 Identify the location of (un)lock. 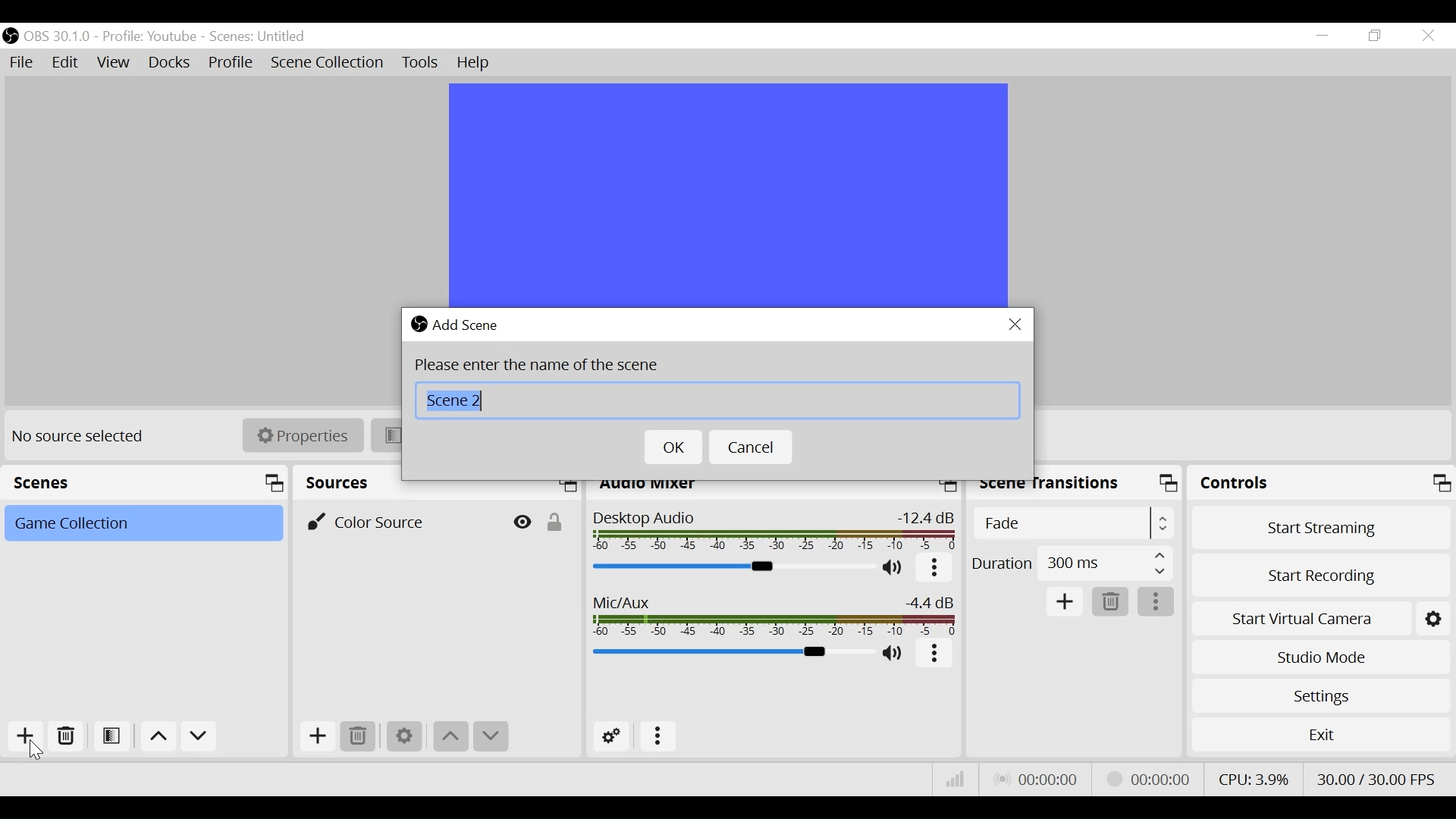
(558, 521).